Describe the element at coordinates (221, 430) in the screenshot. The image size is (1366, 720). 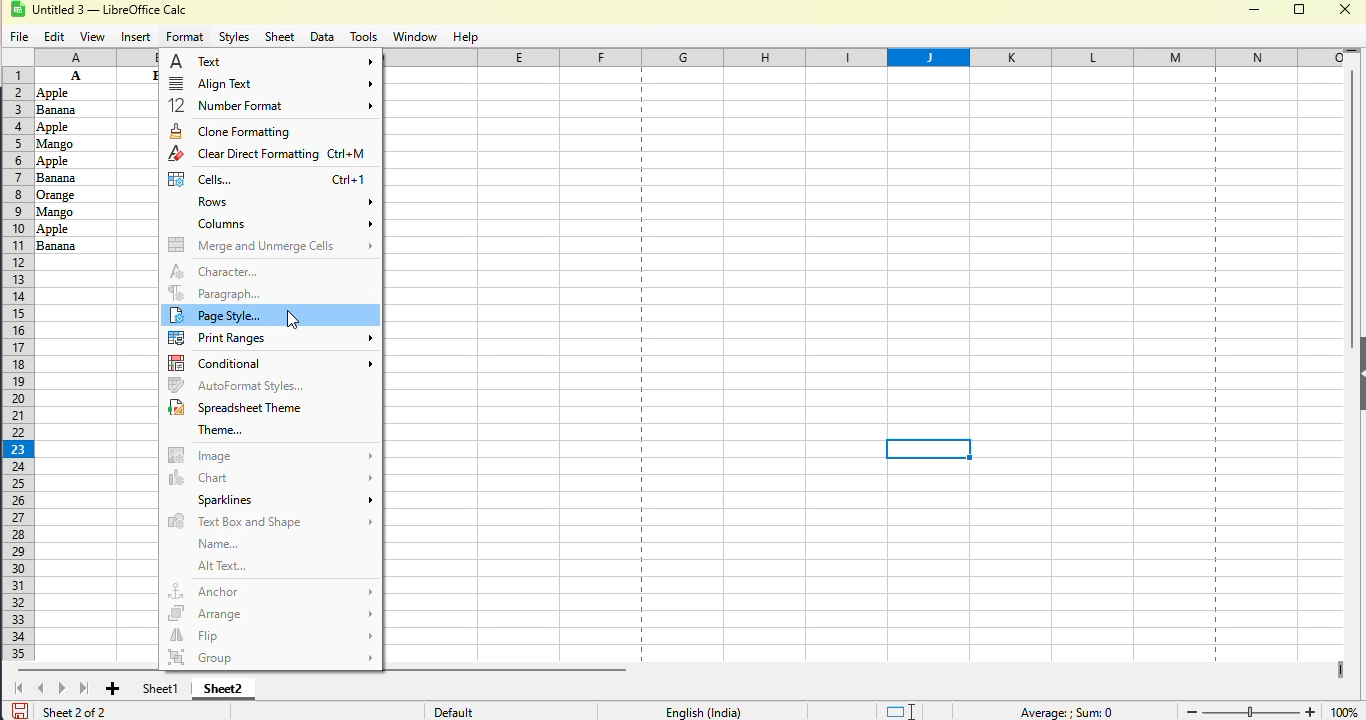
I see `theme` at that location.